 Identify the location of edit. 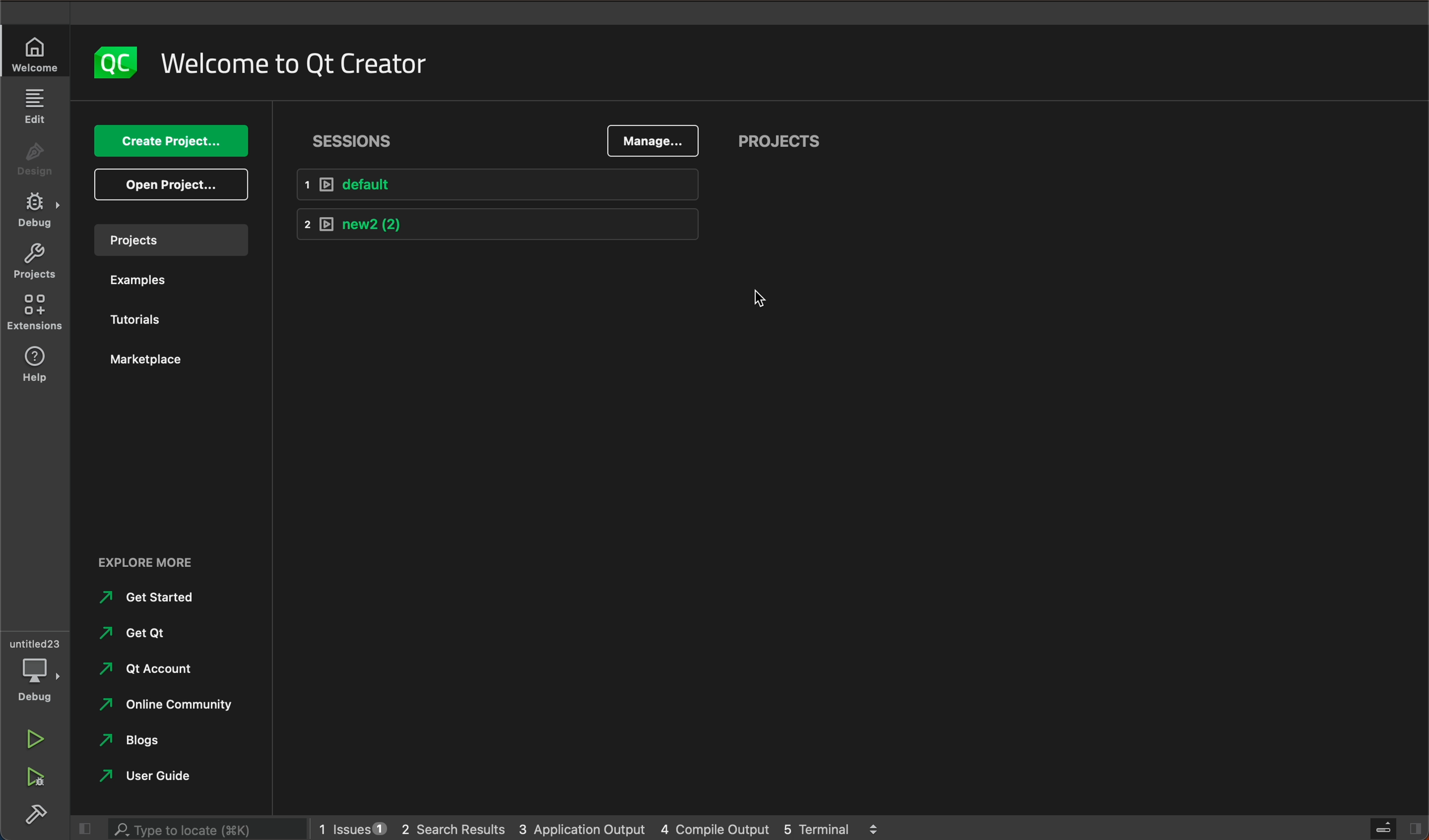
(38, 105).